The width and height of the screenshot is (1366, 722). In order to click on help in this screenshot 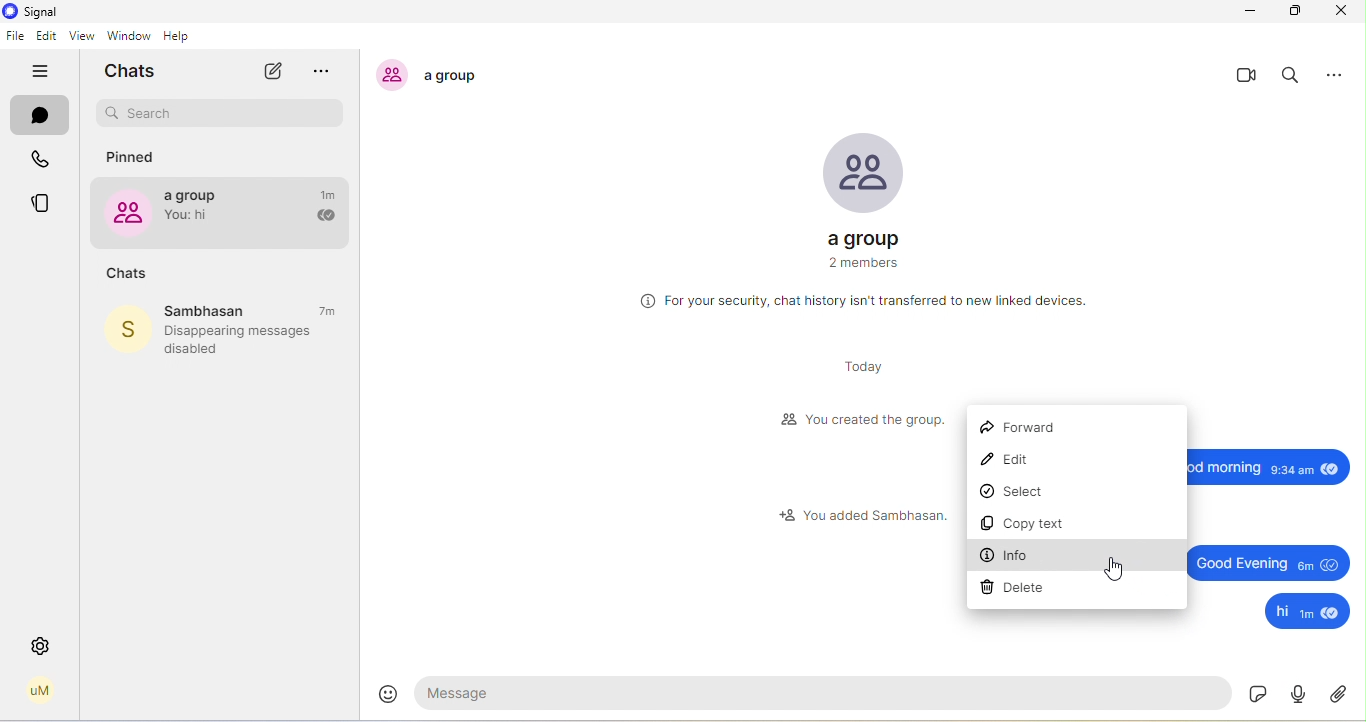, I will do `click(183, 36)`.